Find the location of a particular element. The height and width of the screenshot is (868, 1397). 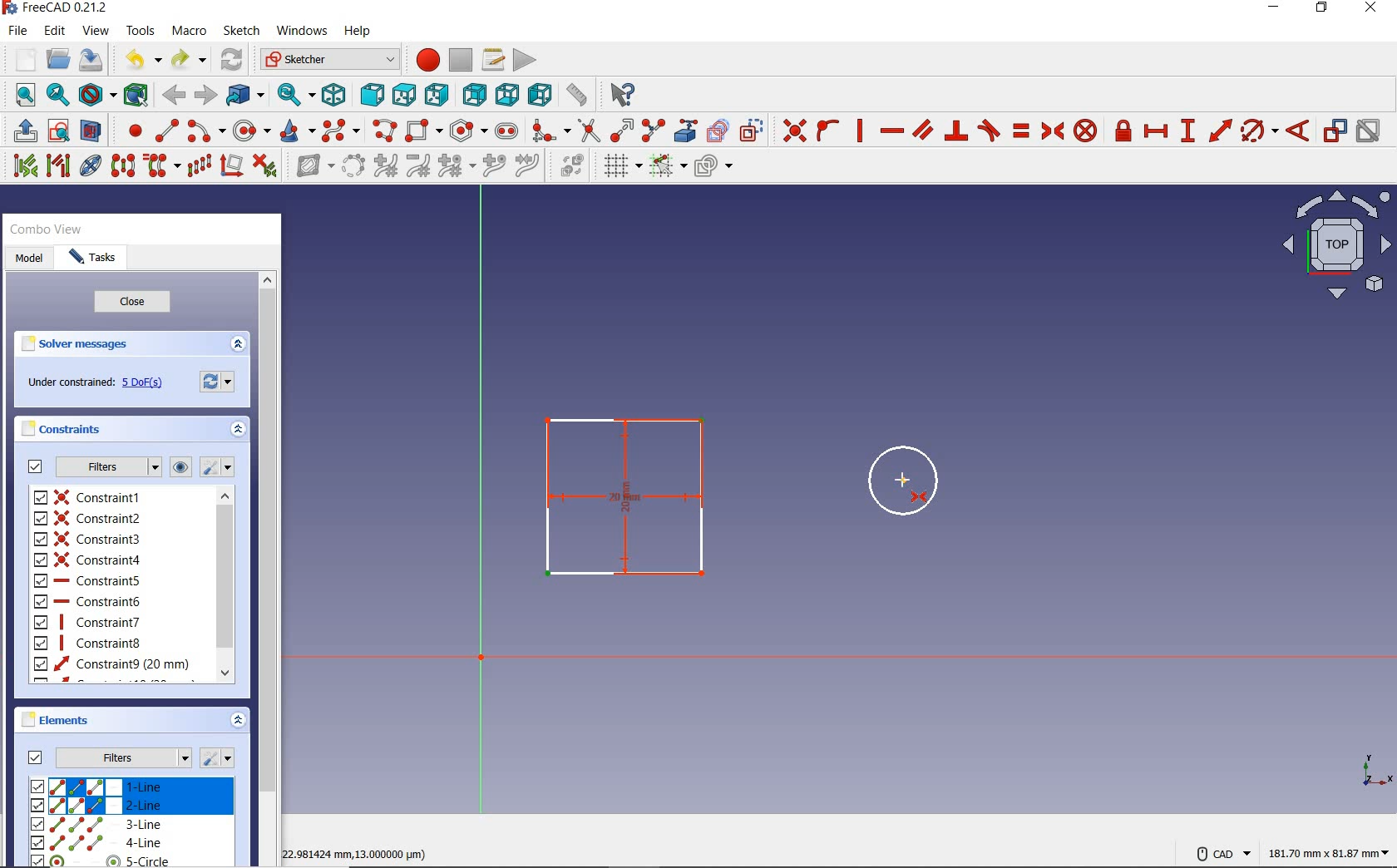

22.981424 mm, 13.000000 μm is located at coordinates (384, 856).